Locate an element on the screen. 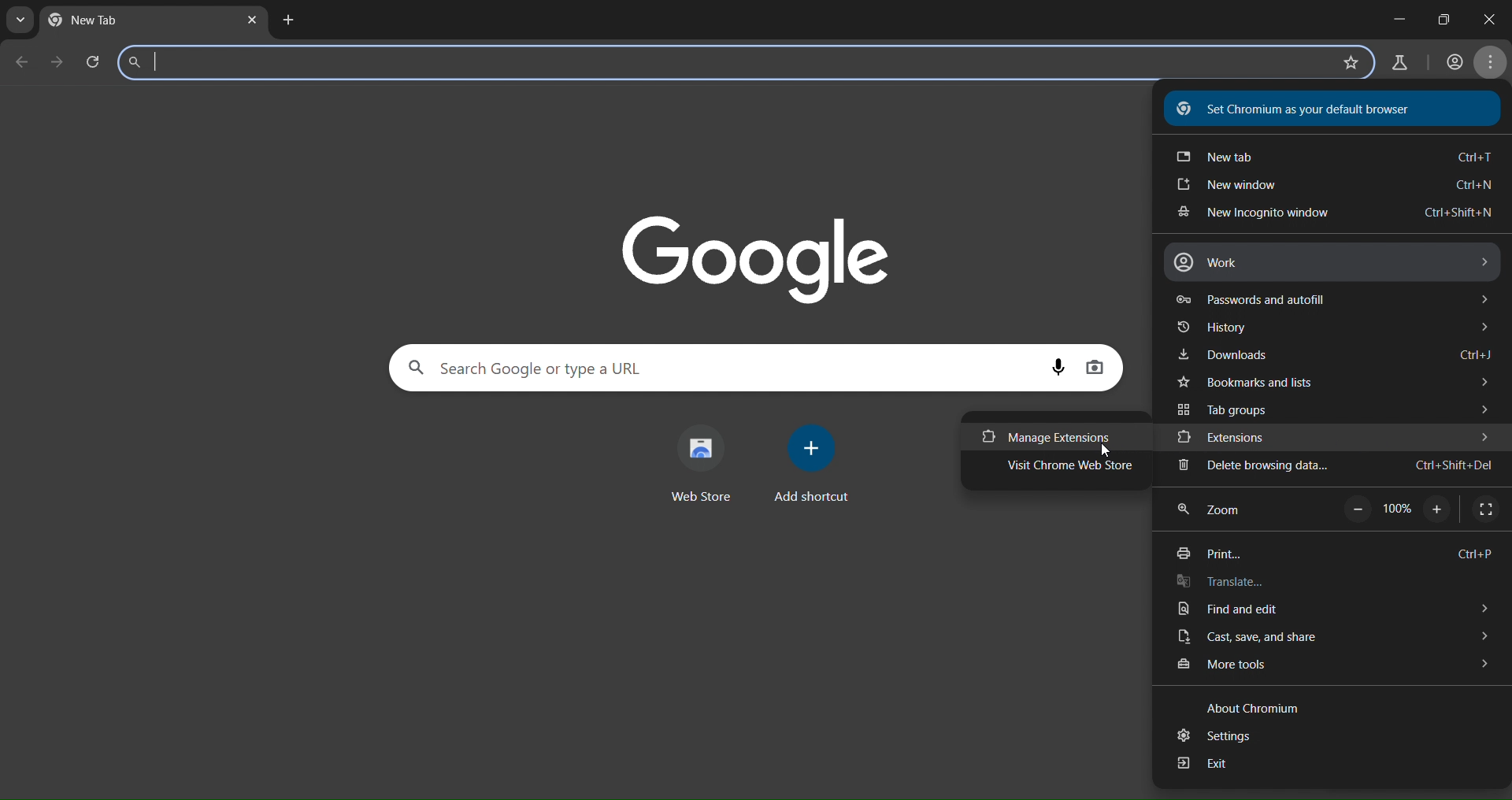 This screenshot has height=800, width=1512. about chromium is located at coordinates (1253, 707).